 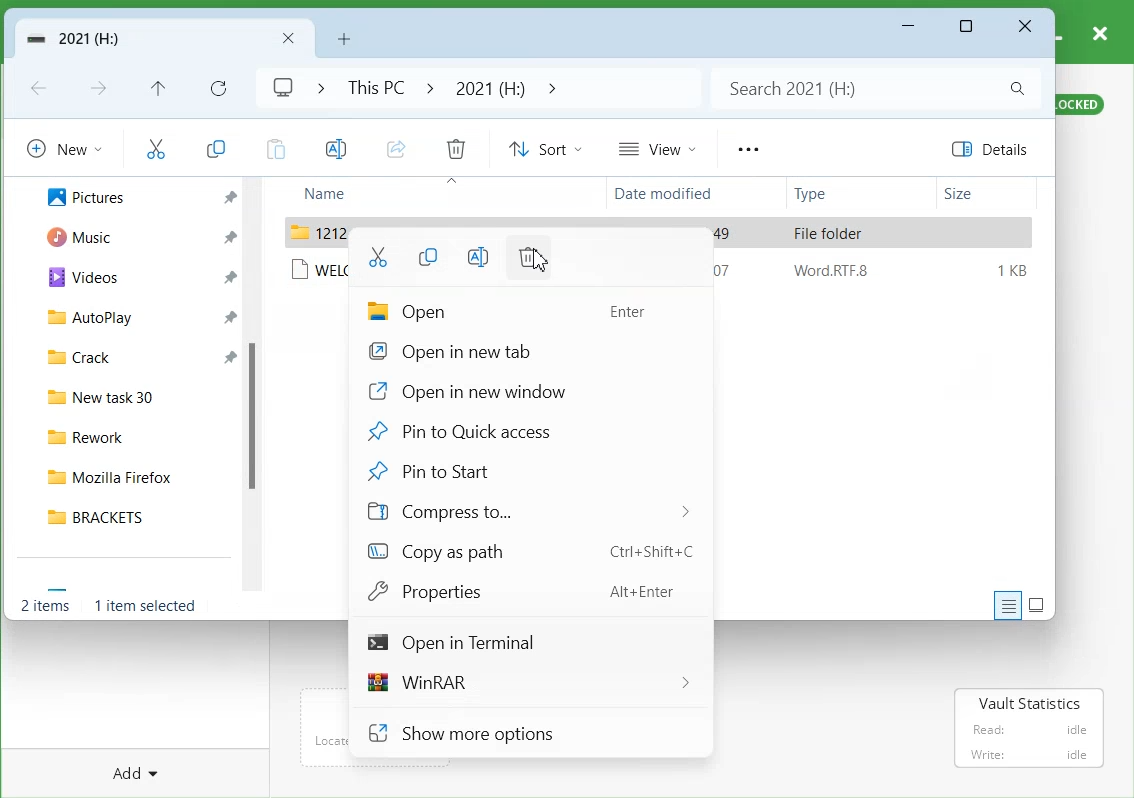 What do you see at coordinates (362, 194) in the screenshot?
I see `Name` at bounding box center [362, 194].